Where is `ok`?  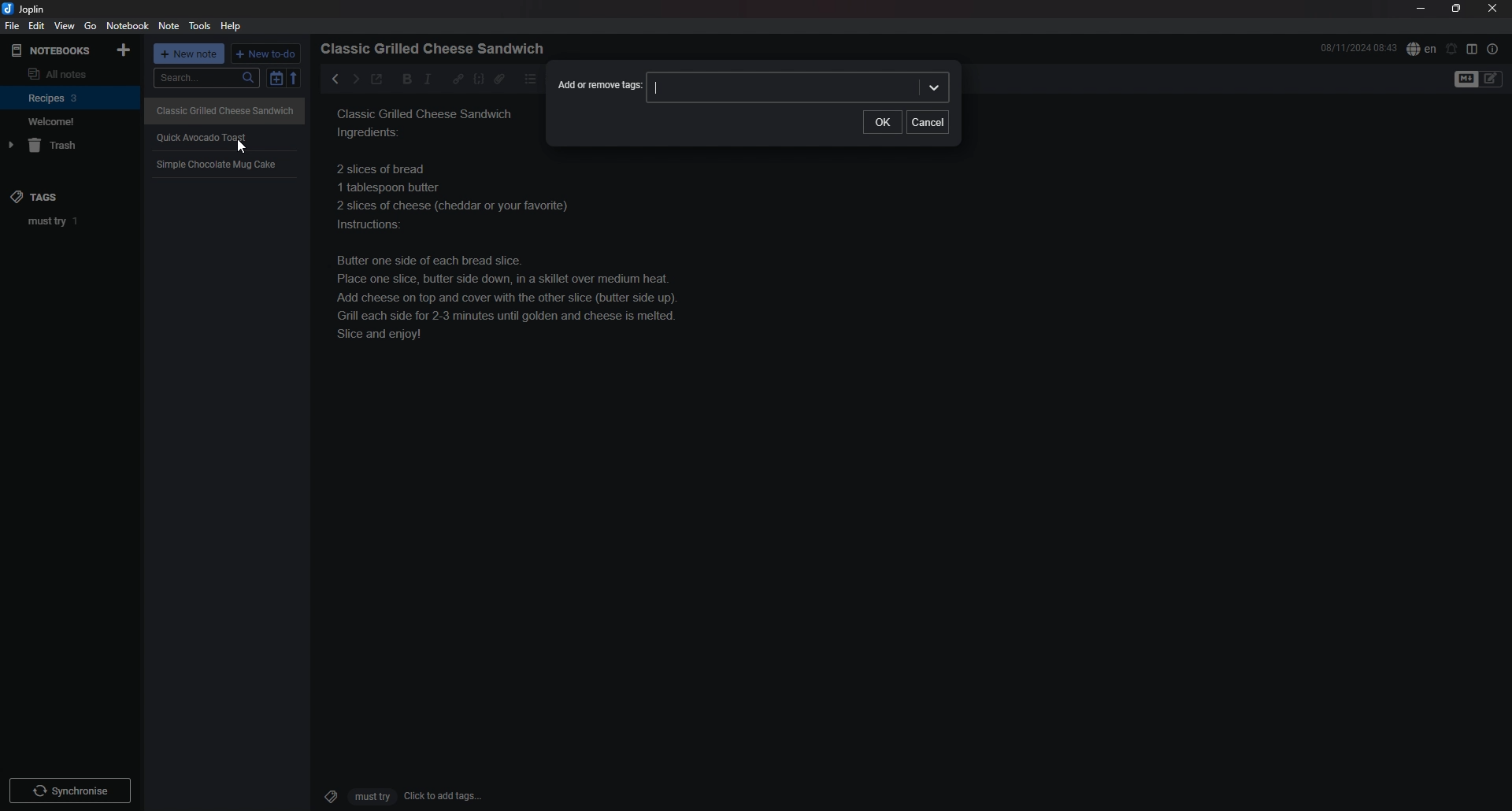
ok is located at coordinates (883, 122).